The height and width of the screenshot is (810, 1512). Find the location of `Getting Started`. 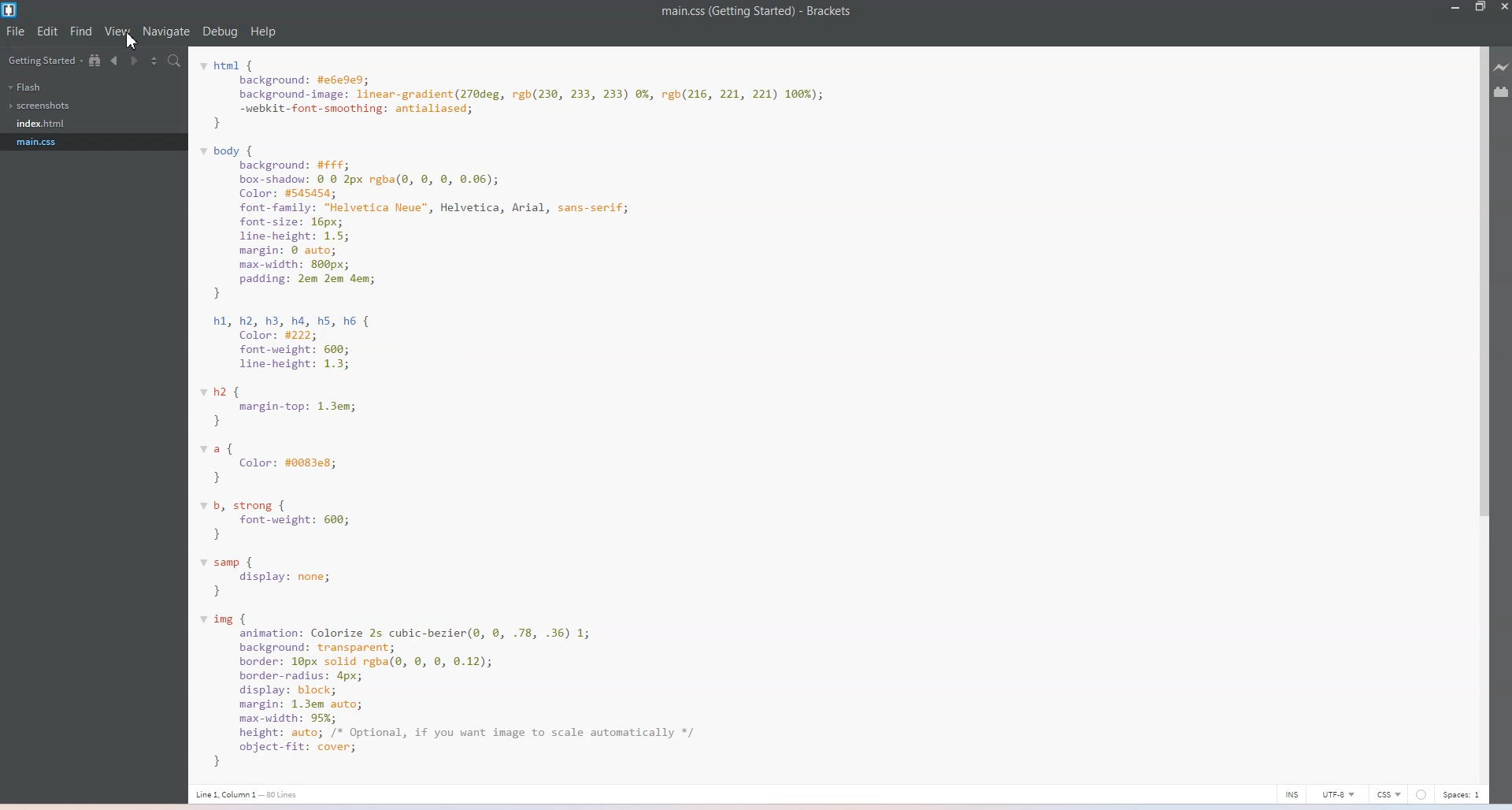

Getting Started is located at coordinates (46, 61).